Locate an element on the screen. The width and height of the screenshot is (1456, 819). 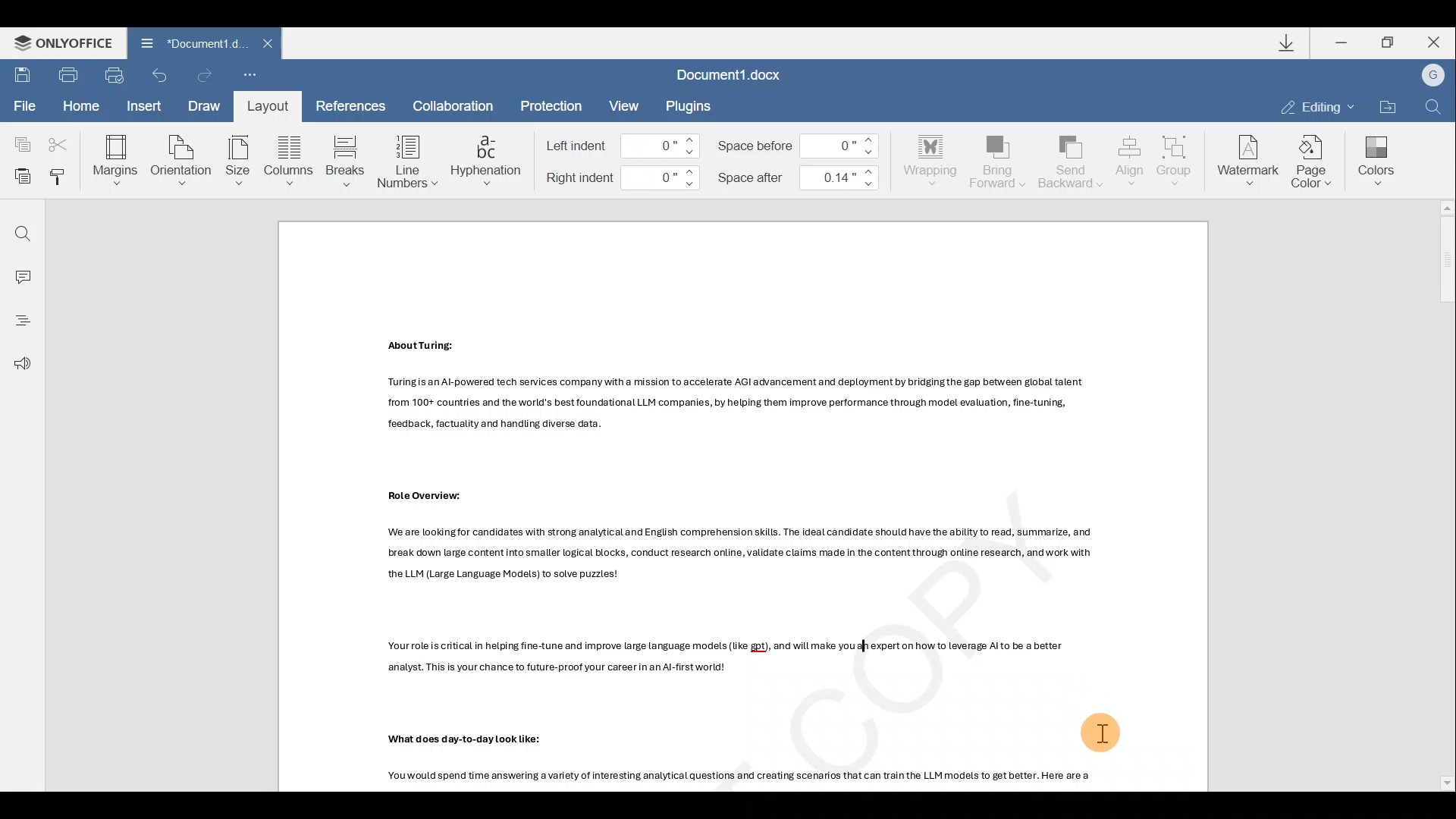
References is located at coordinates (349, 105).